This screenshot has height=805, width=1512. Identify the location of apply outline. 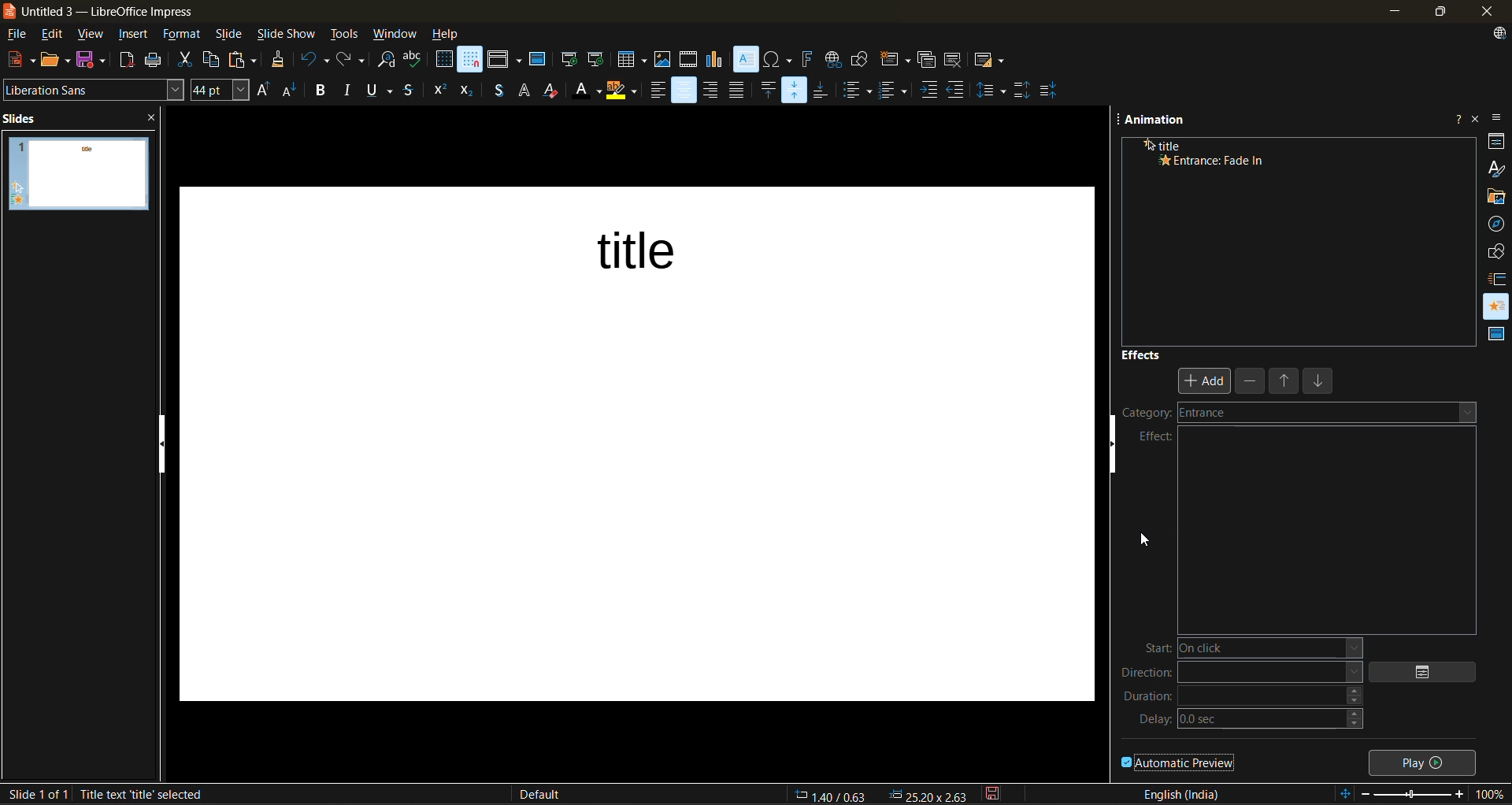
(525, 91).